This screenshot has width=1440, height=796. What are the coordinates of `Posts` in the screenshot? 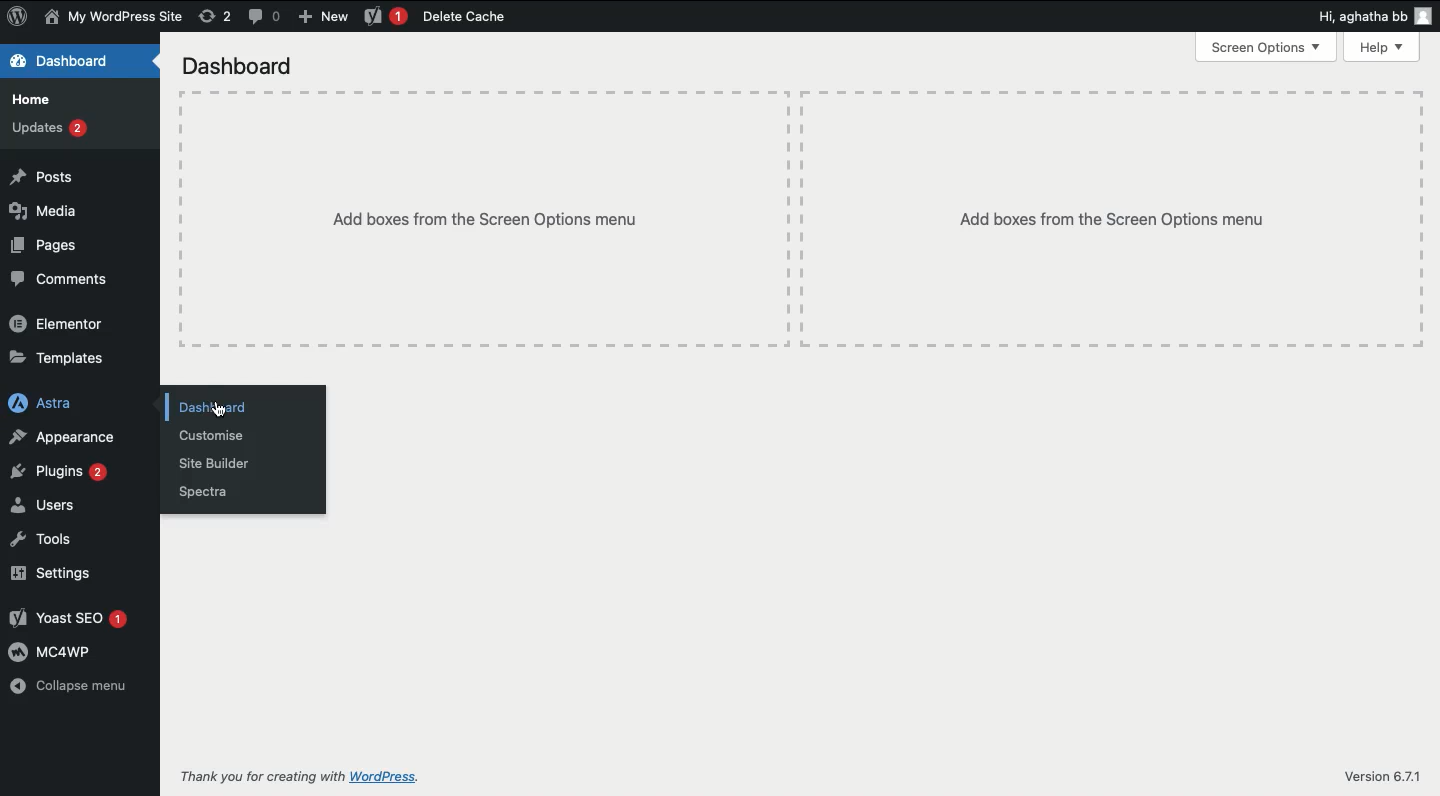 It's located at (42, 175).